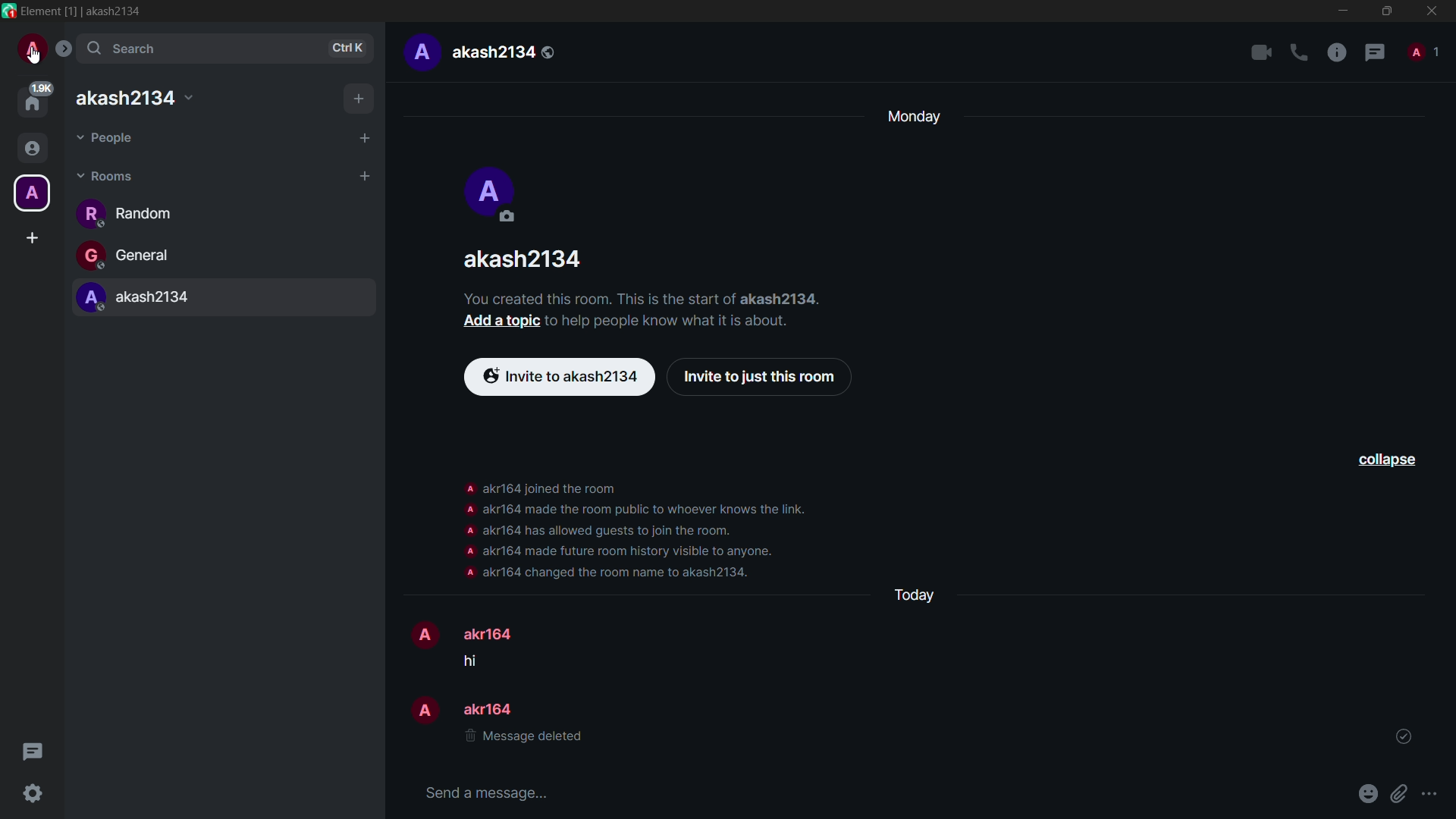  I want to click on add room, so click(364, 177).